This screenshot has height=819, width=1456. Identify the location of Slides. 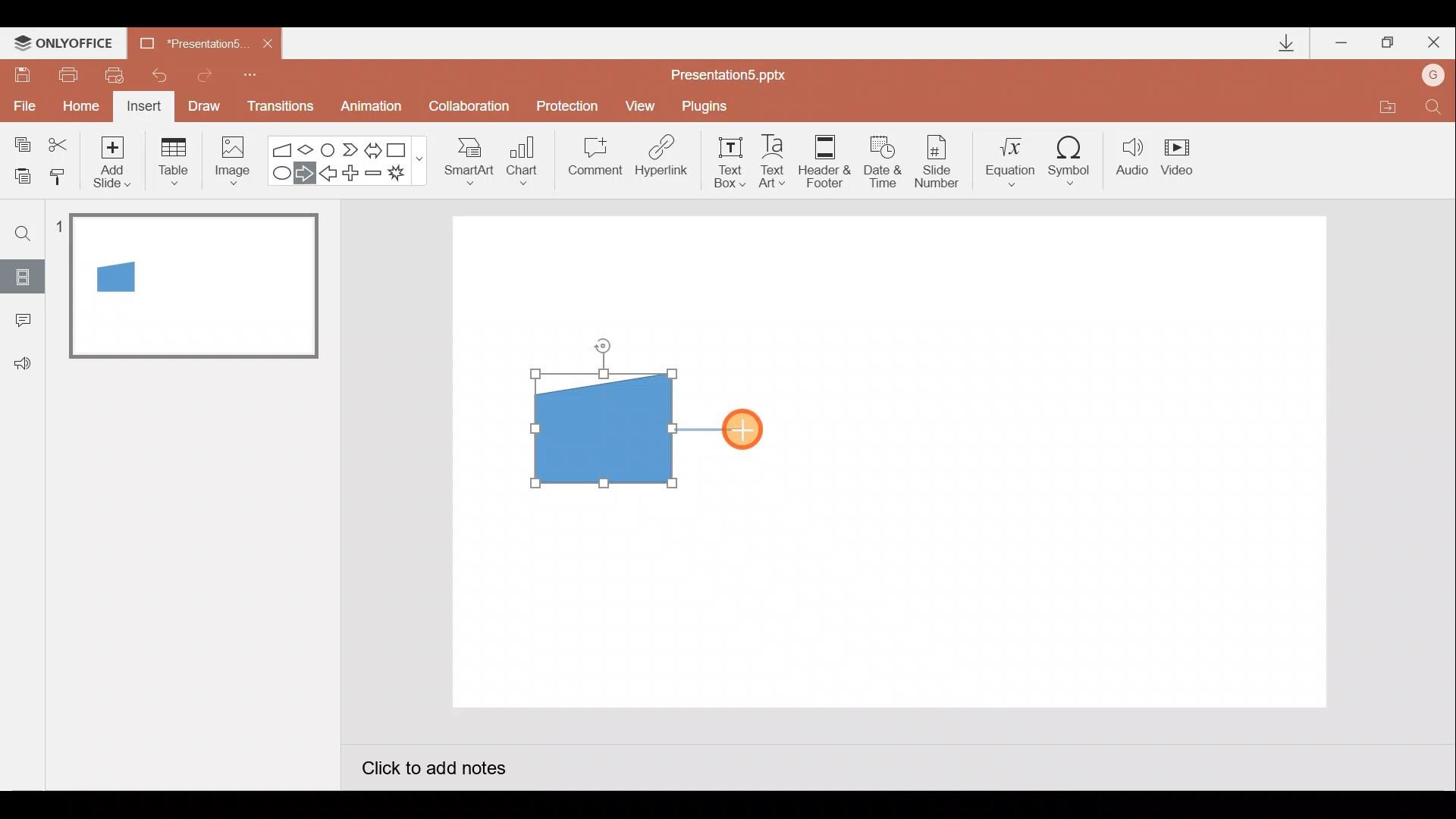
(22, 276).